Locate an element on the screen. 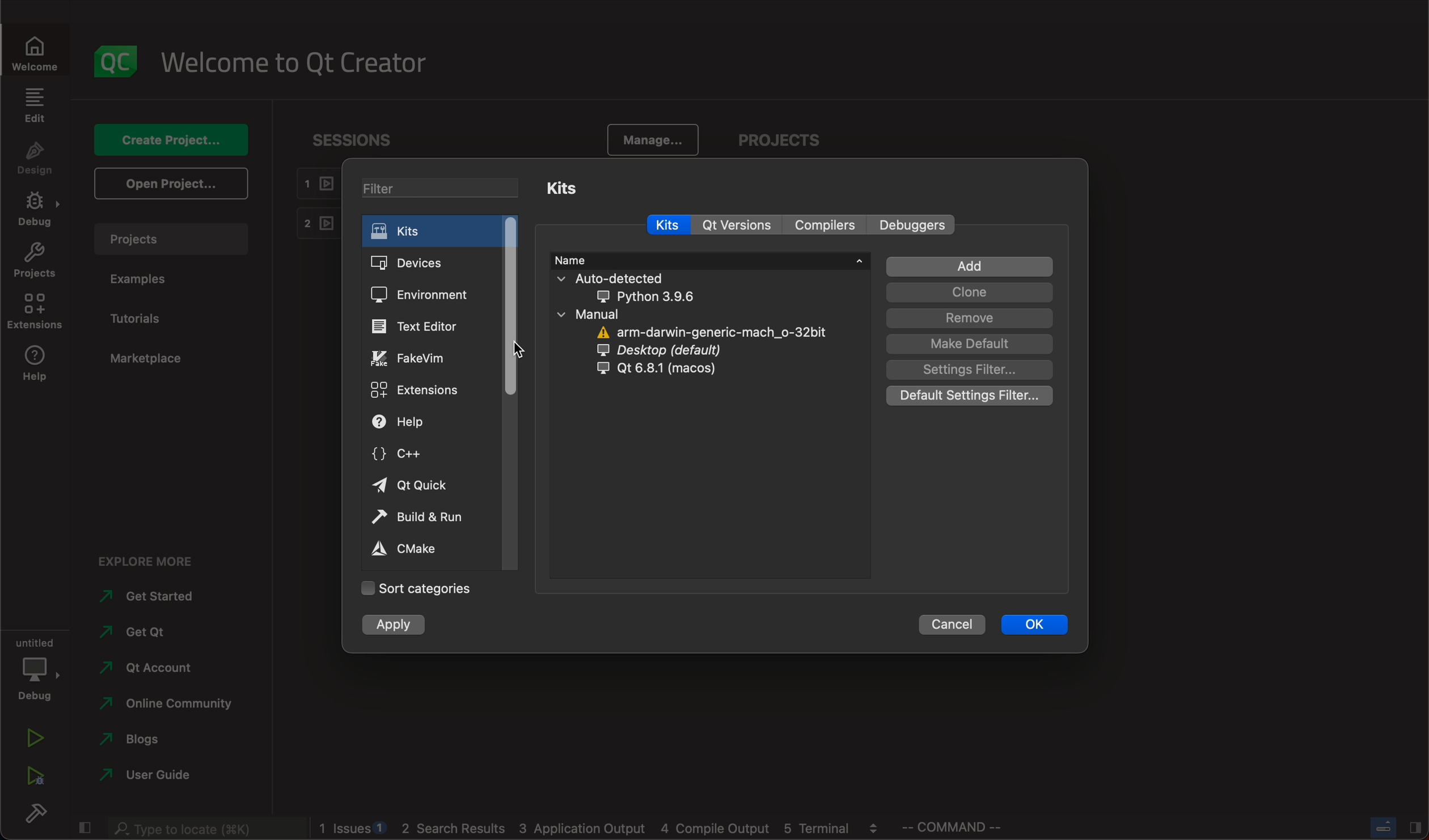 The width and height of the screenshot is (1429, 840). debug is located at coordinates (36, 210).